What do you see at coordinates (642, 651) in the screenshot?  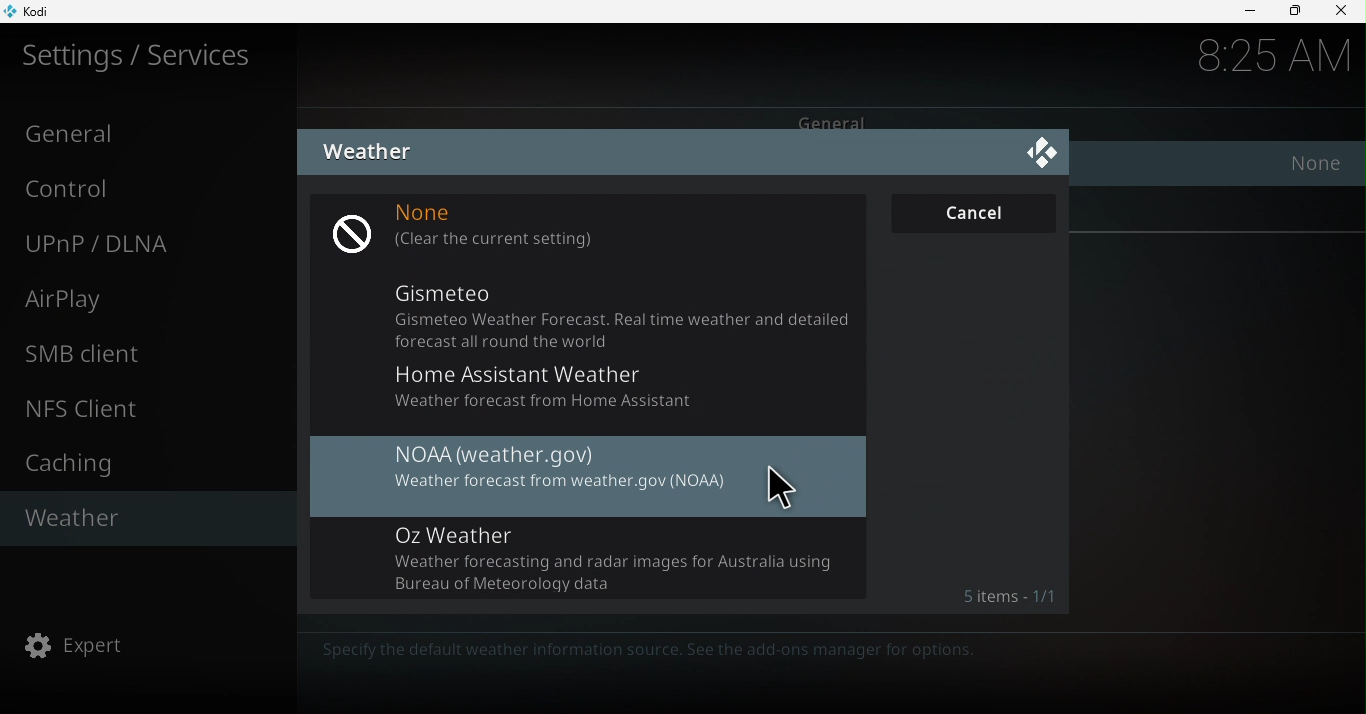 I see `Specify the default weather information source. See the add-ons manager for options.` at bounding box center [642, 651].